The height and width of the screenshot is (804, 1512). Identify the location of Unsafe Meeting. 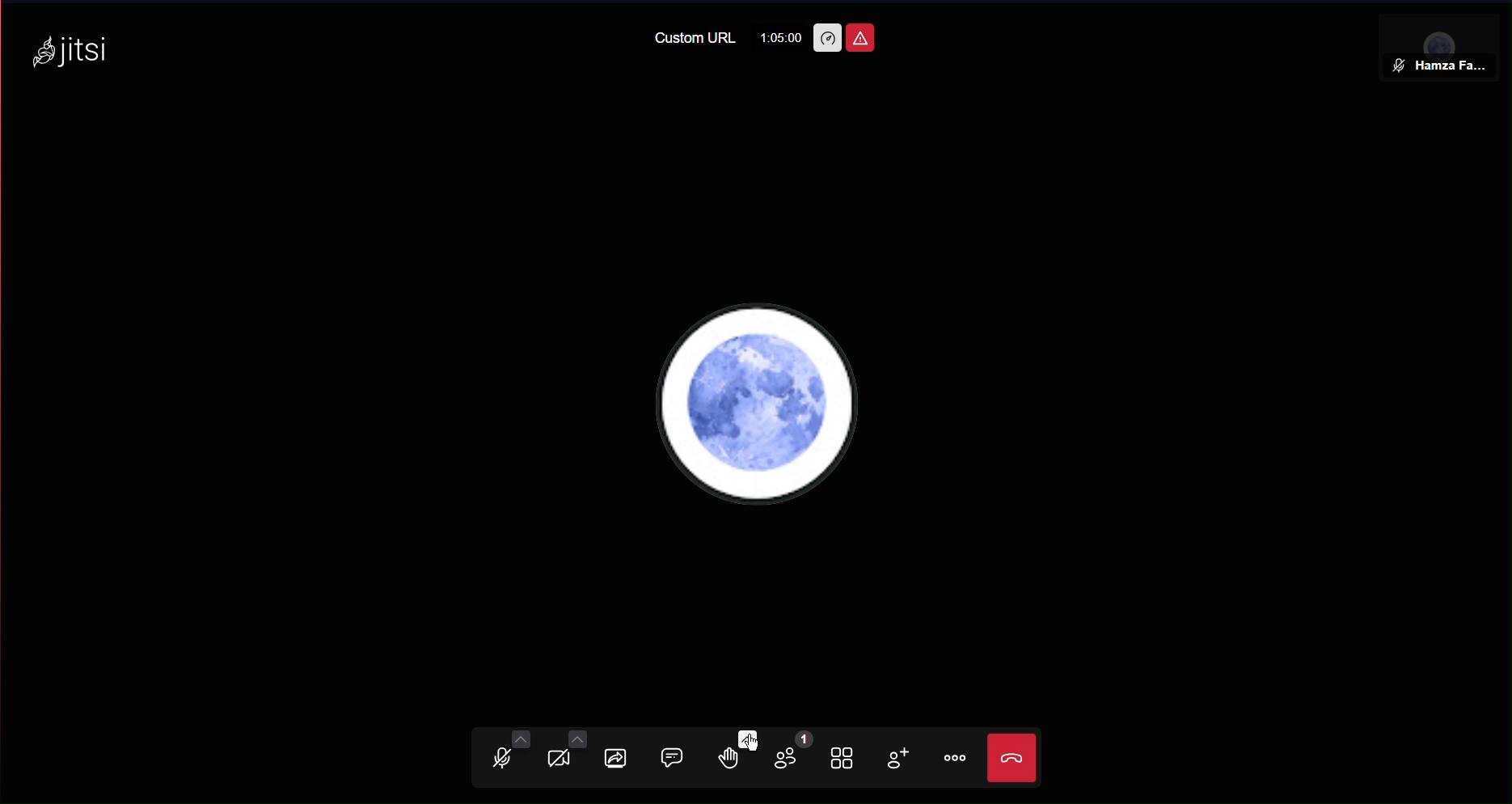
(859, 38).